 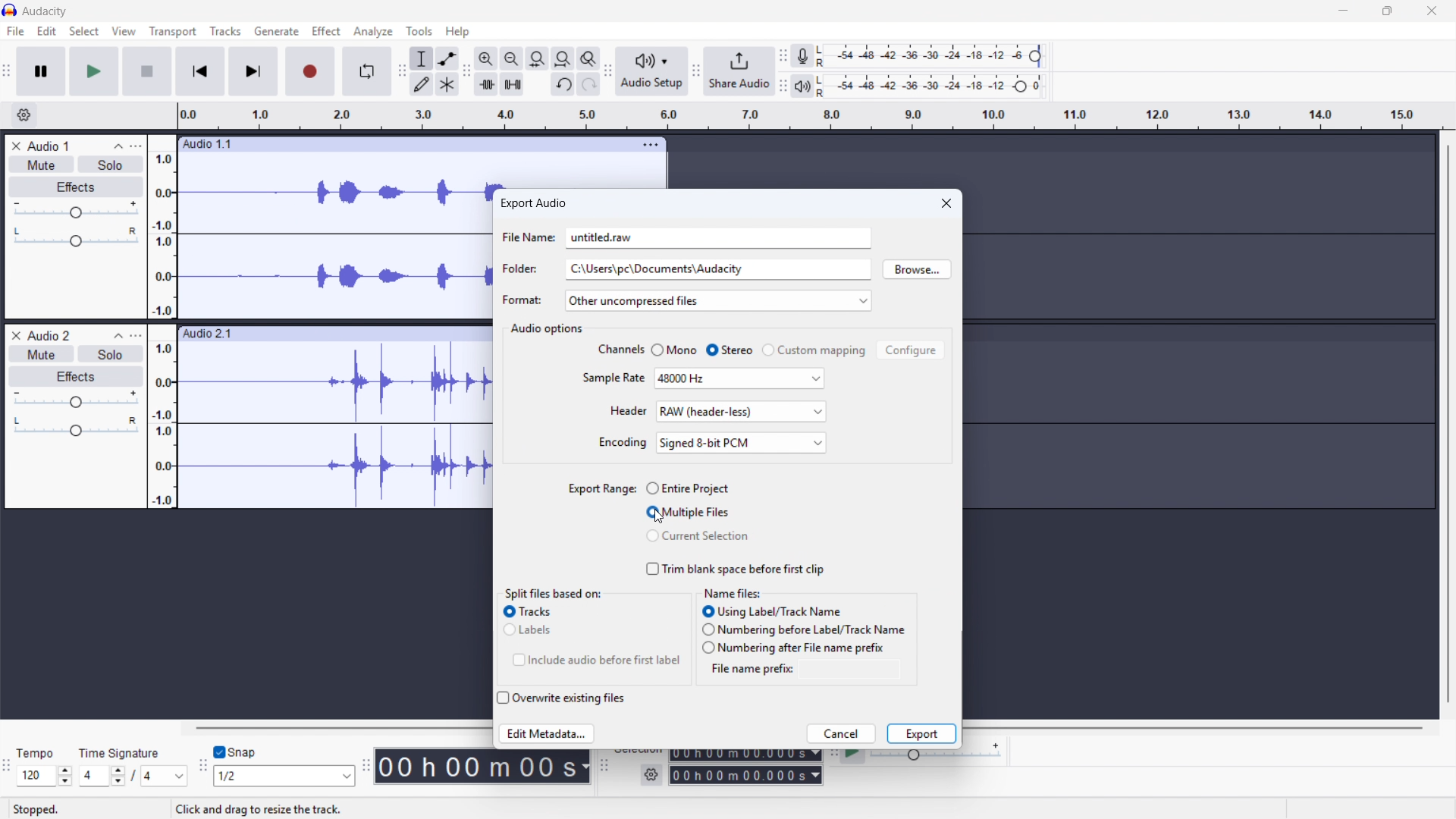 What do you see at coordinates (486, 83) in the screenshot?
I see `Trim audio outside selection` at bounding box center [486, 83].